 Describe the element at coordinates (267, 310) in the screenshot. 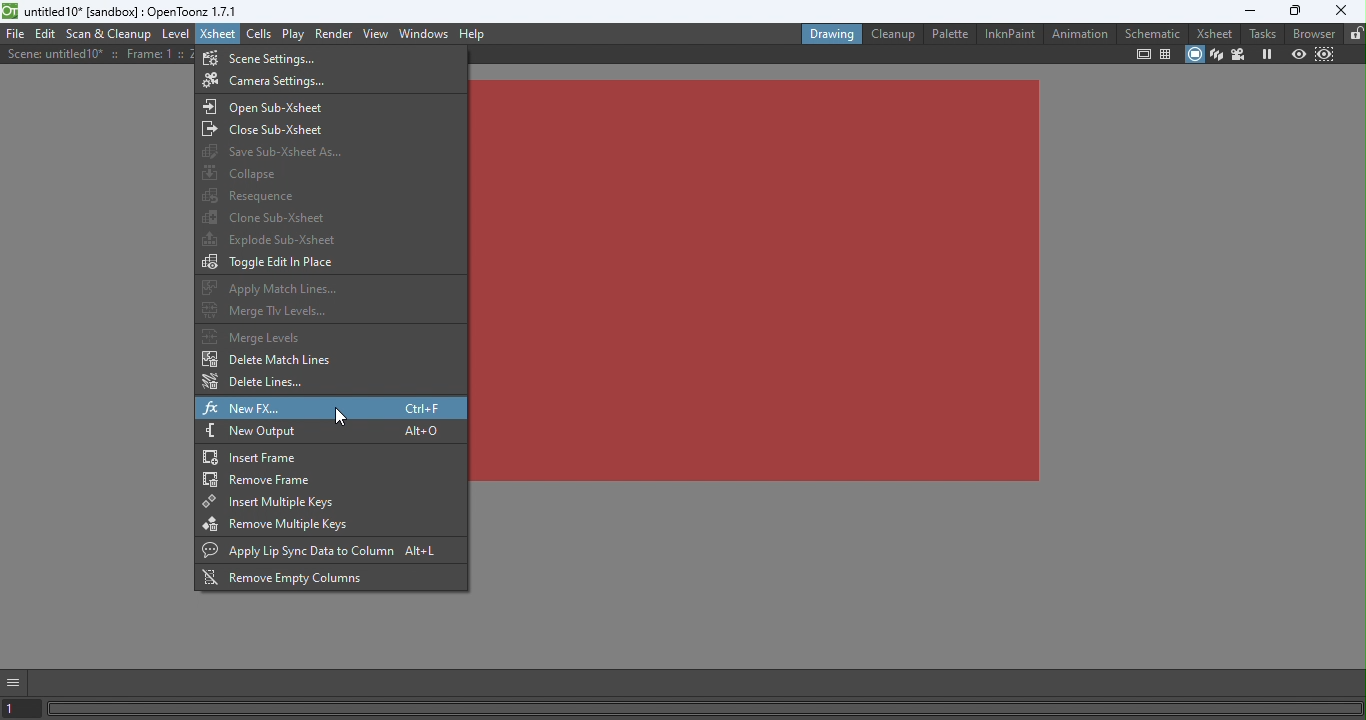

I see `Merge Tlv levels` at that location.